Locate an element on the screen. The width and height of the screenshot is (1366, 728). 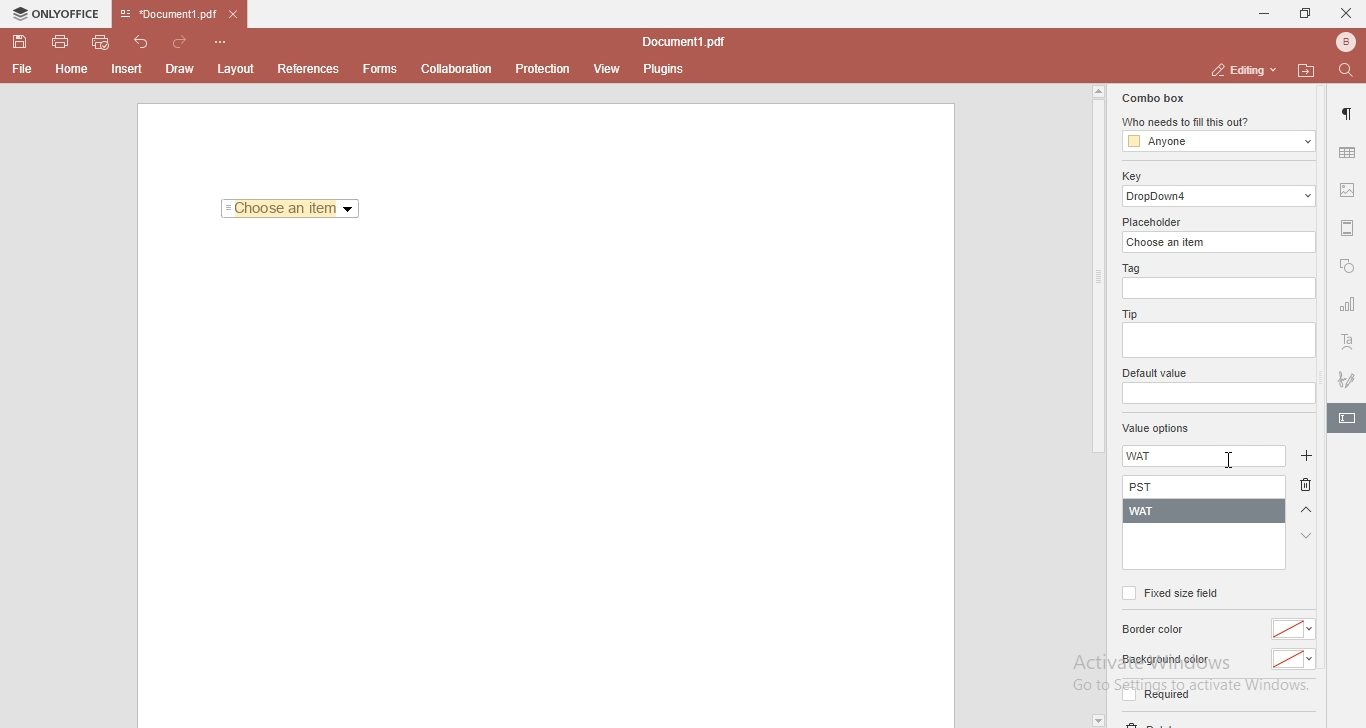
empty box is located at coordinates (1221, 289).